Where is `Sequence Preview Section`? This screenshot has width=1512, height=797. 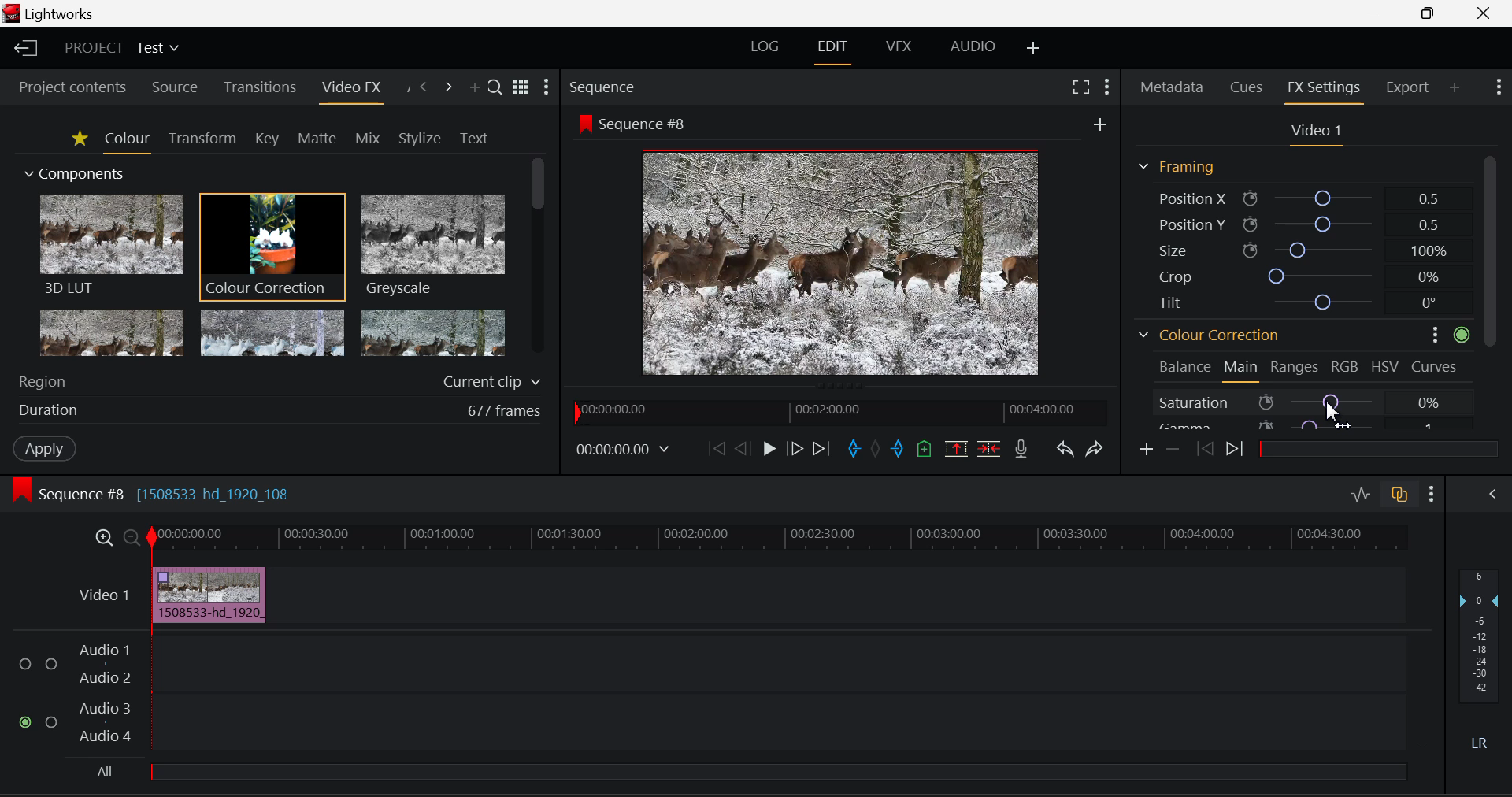 Sequence Preview Section is located at coordinates (606, 88).